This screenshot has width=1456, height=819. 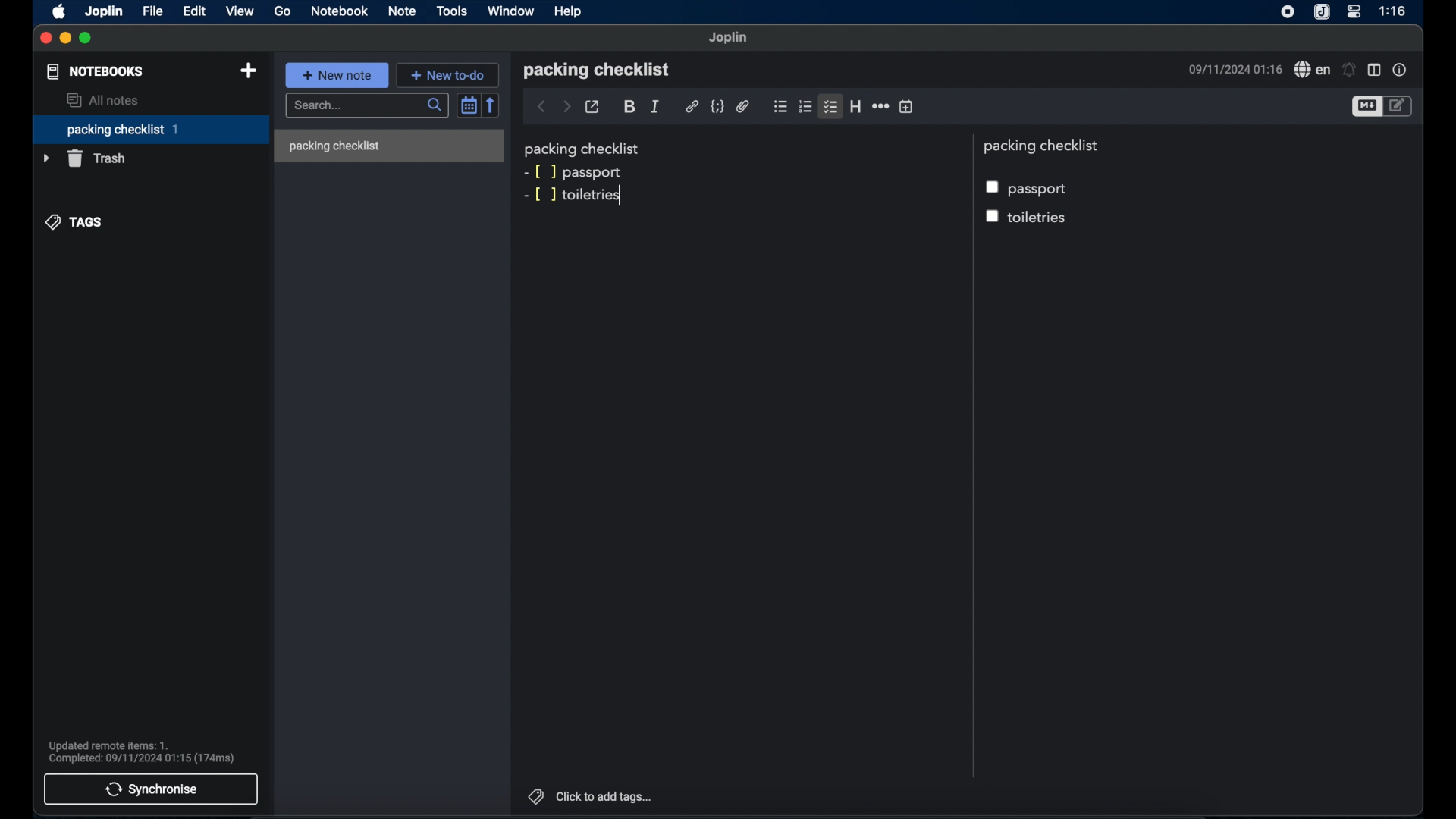 I want to click on forward, so click(x=566, y=106).